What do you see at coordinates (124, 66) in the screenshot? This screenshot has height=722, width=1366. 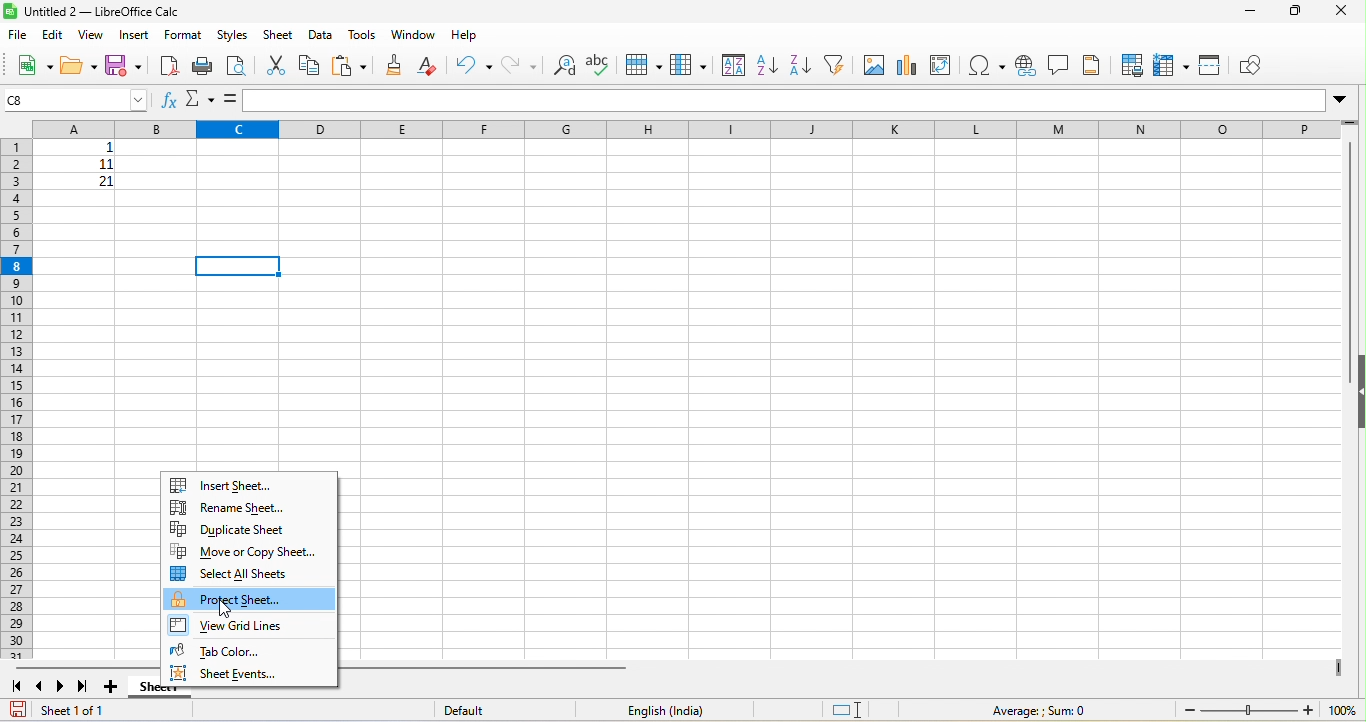 I see `save` at bounding box center [124, 66].